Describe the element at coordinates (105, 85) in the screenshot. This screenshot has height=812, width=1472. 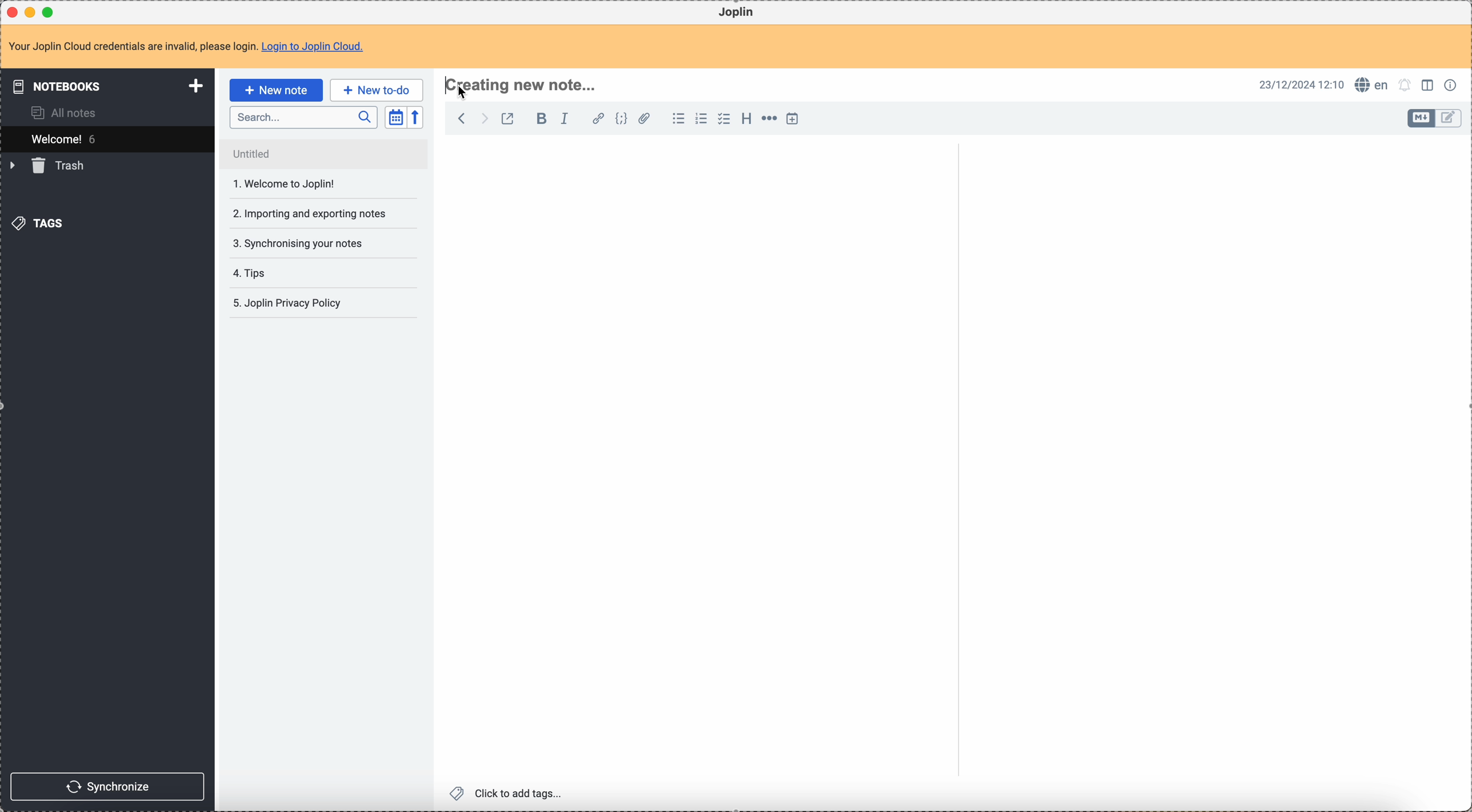
I see `notebooks` at that location.